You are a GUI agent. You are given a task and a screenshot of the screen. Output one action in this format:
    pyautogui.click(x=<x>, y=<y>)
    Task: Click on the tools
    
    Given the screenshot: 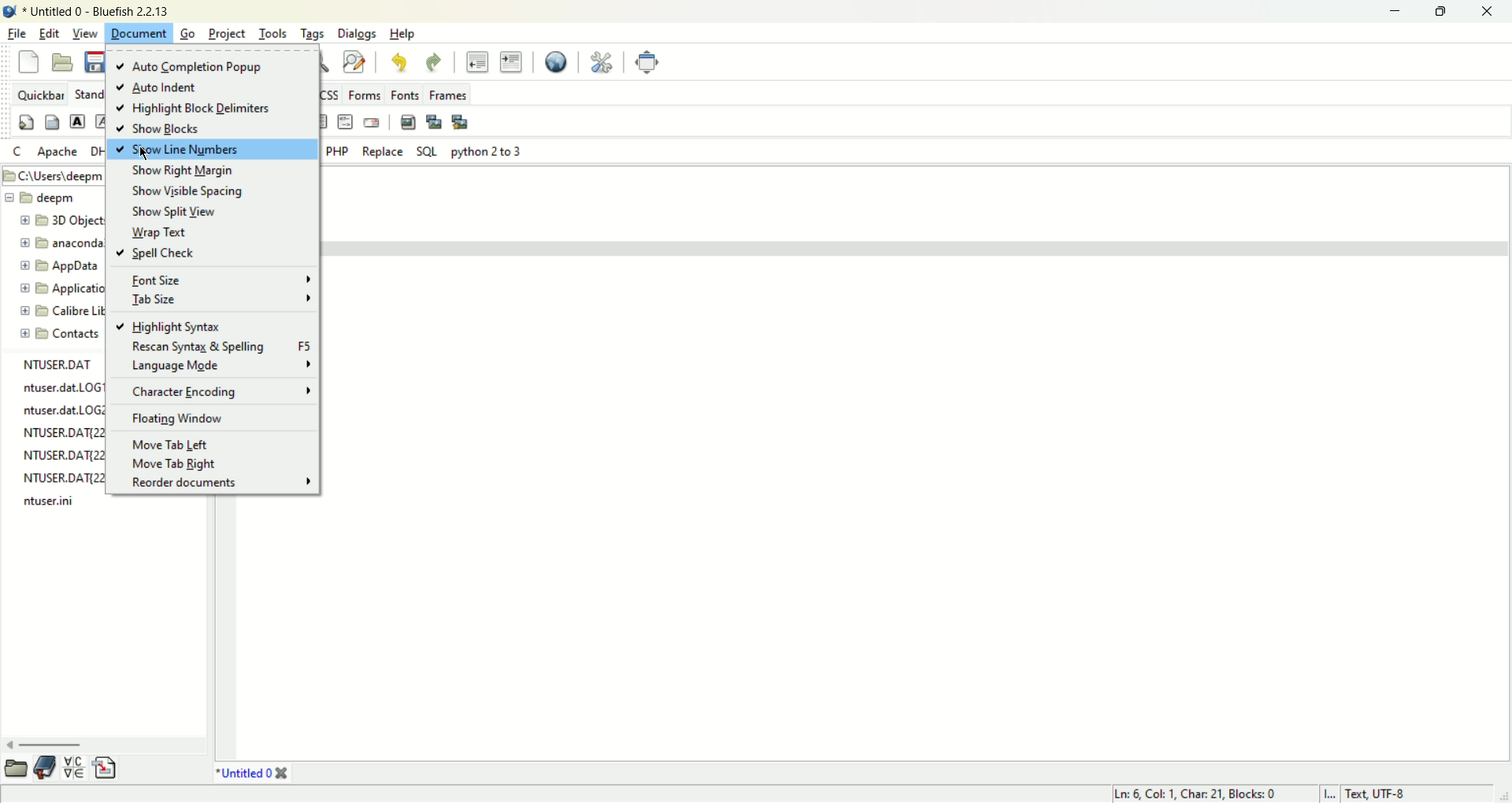 What is the action you would take?
    pyautogui.click(x=274, y=33)
    